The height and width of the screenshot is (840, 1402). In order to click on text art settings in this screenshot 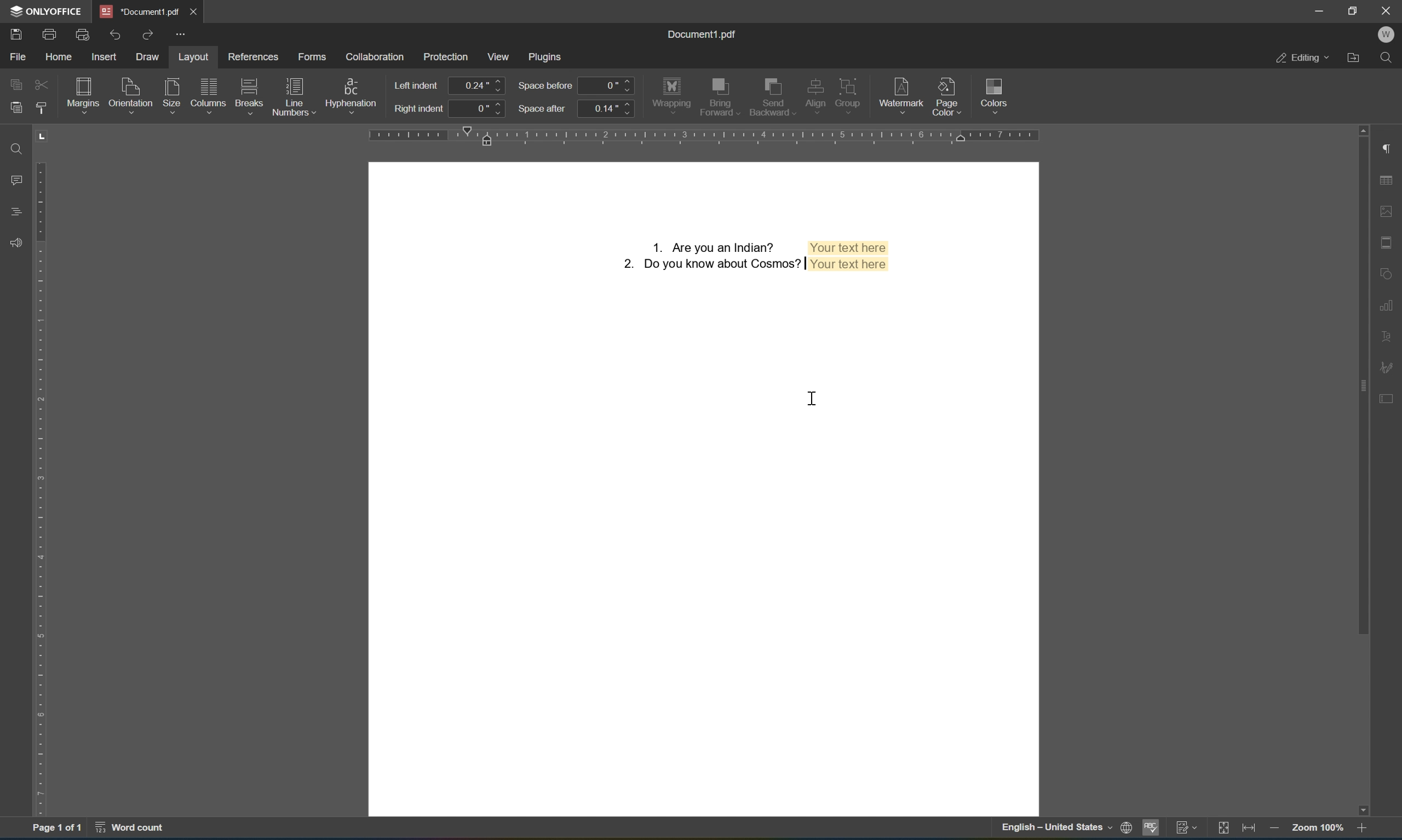, I will do `click(1390, 334)`.